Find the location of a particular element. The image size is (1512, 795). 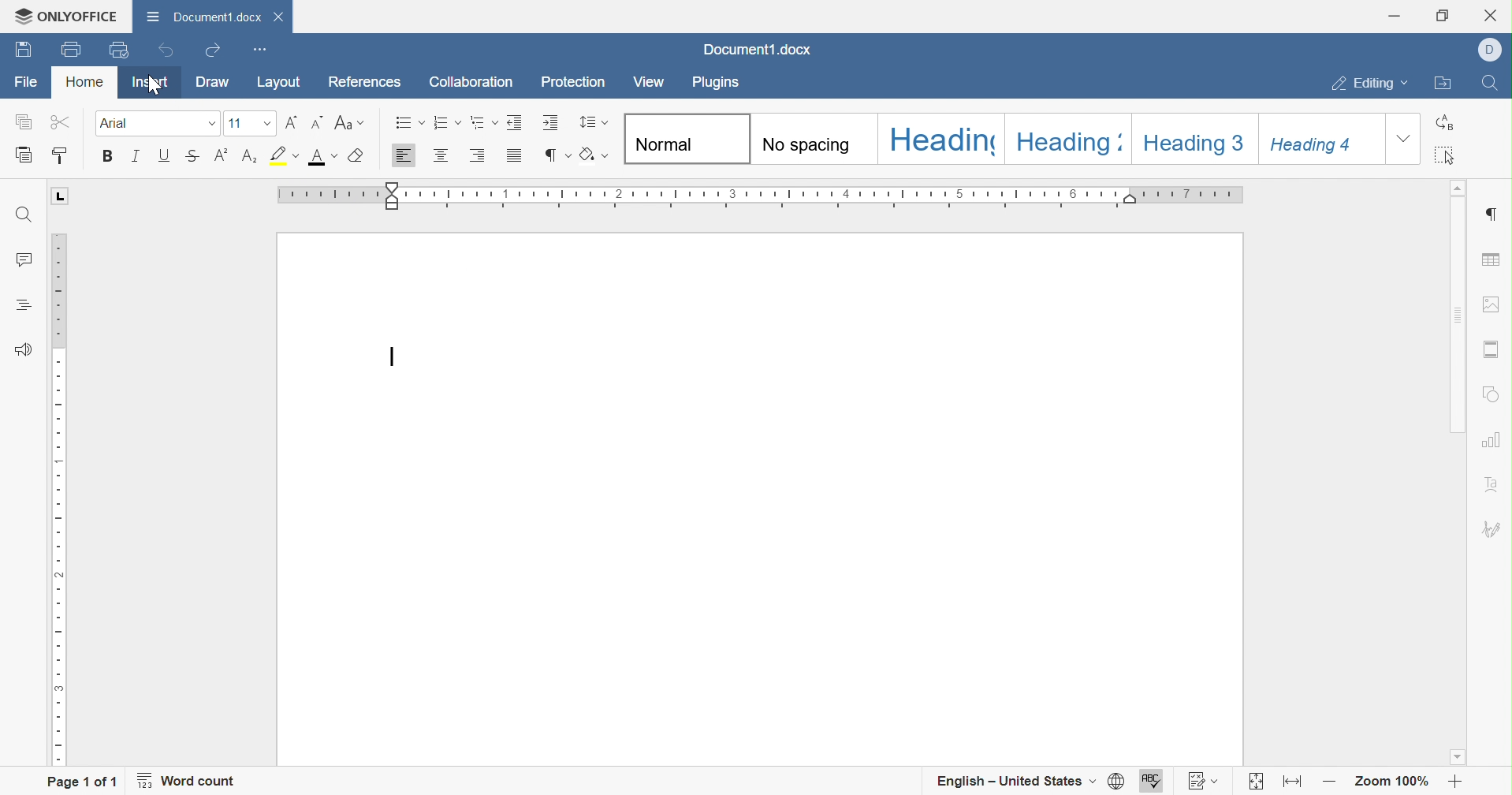

Change case is located at coordinates (350, 121).